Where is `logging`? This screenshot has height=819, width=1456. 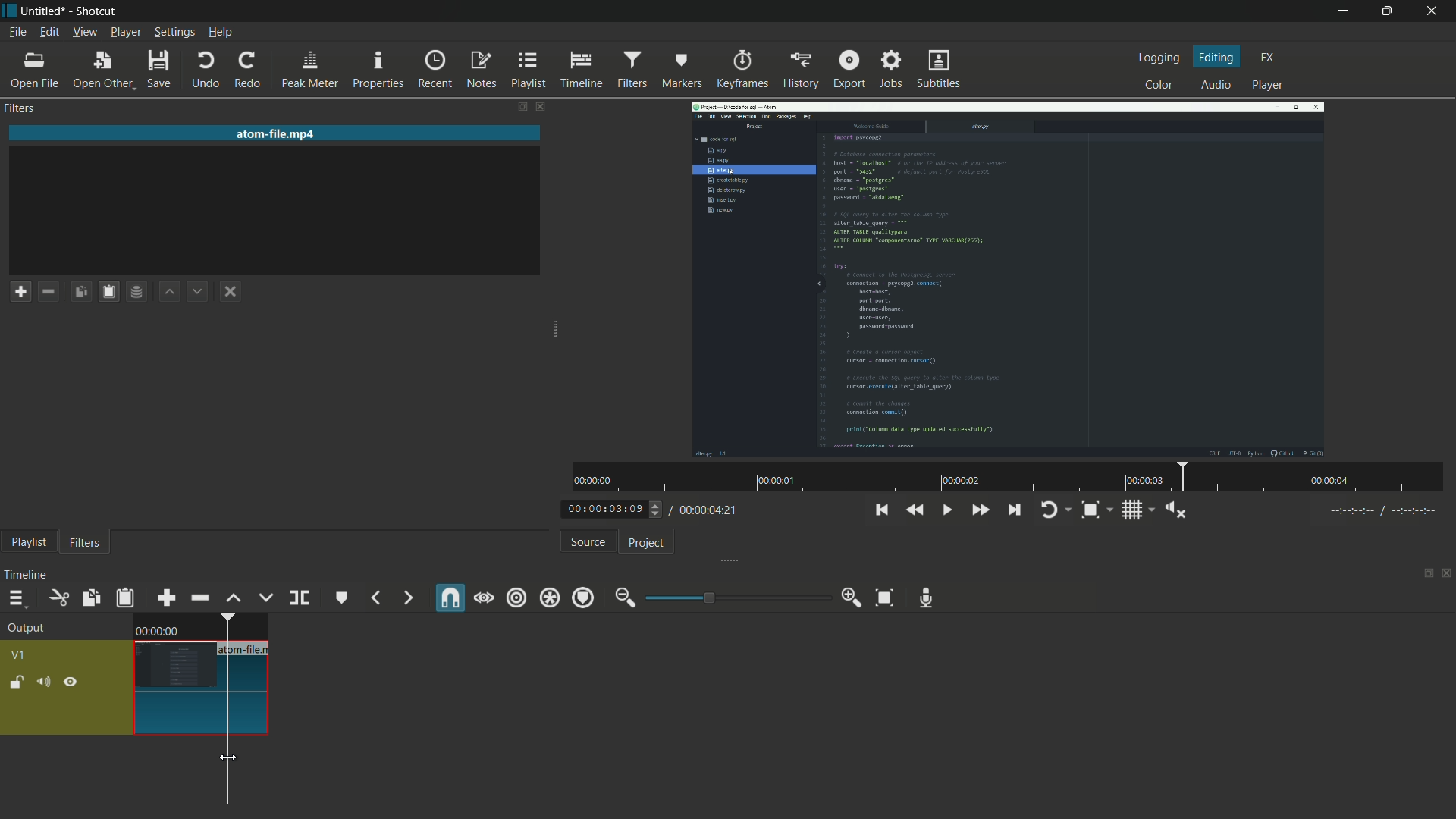 logging is located at coordinates (1159, 57).